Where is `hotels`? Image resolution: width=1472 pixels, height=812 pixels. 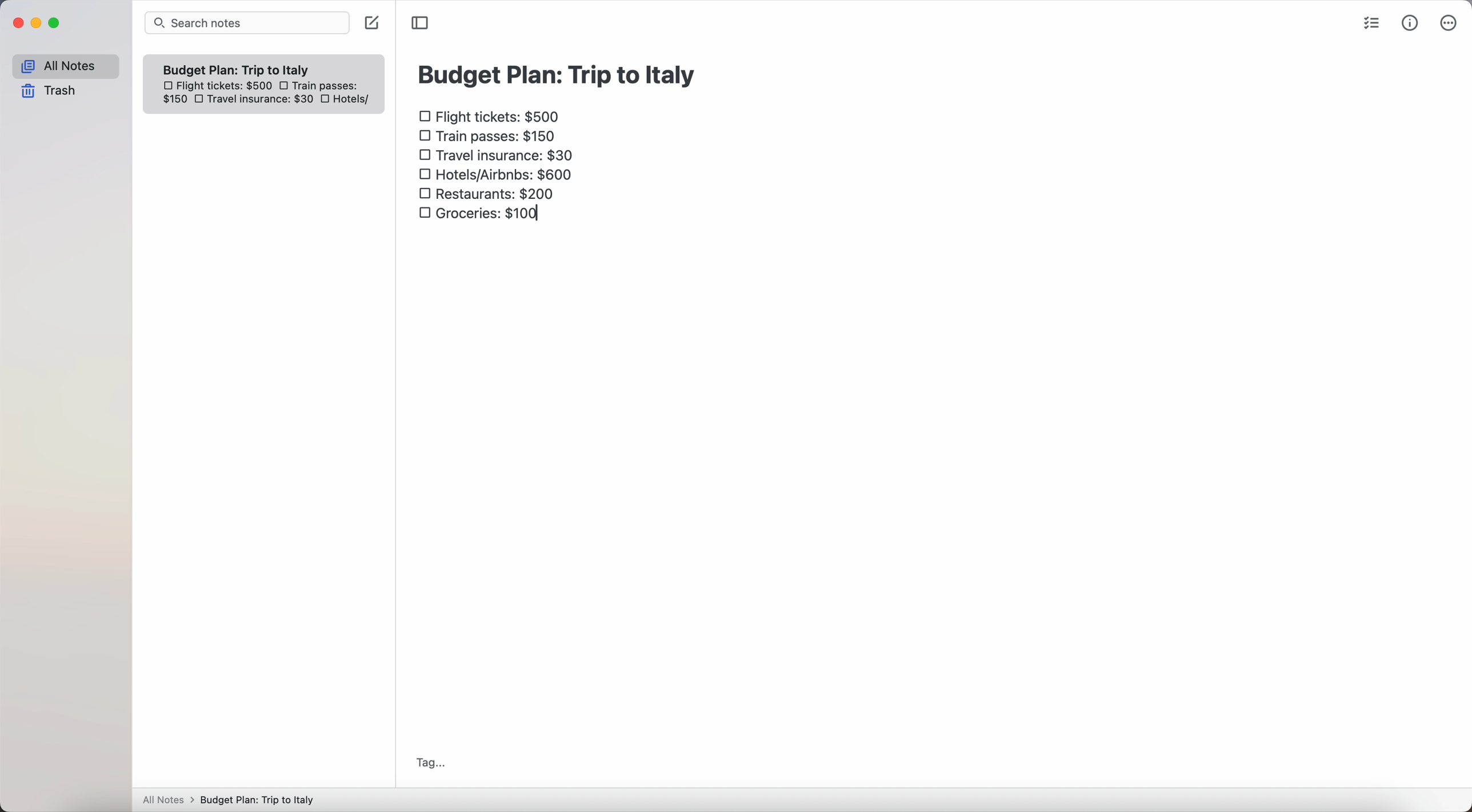 hotels is located at coordinates (357, 100).